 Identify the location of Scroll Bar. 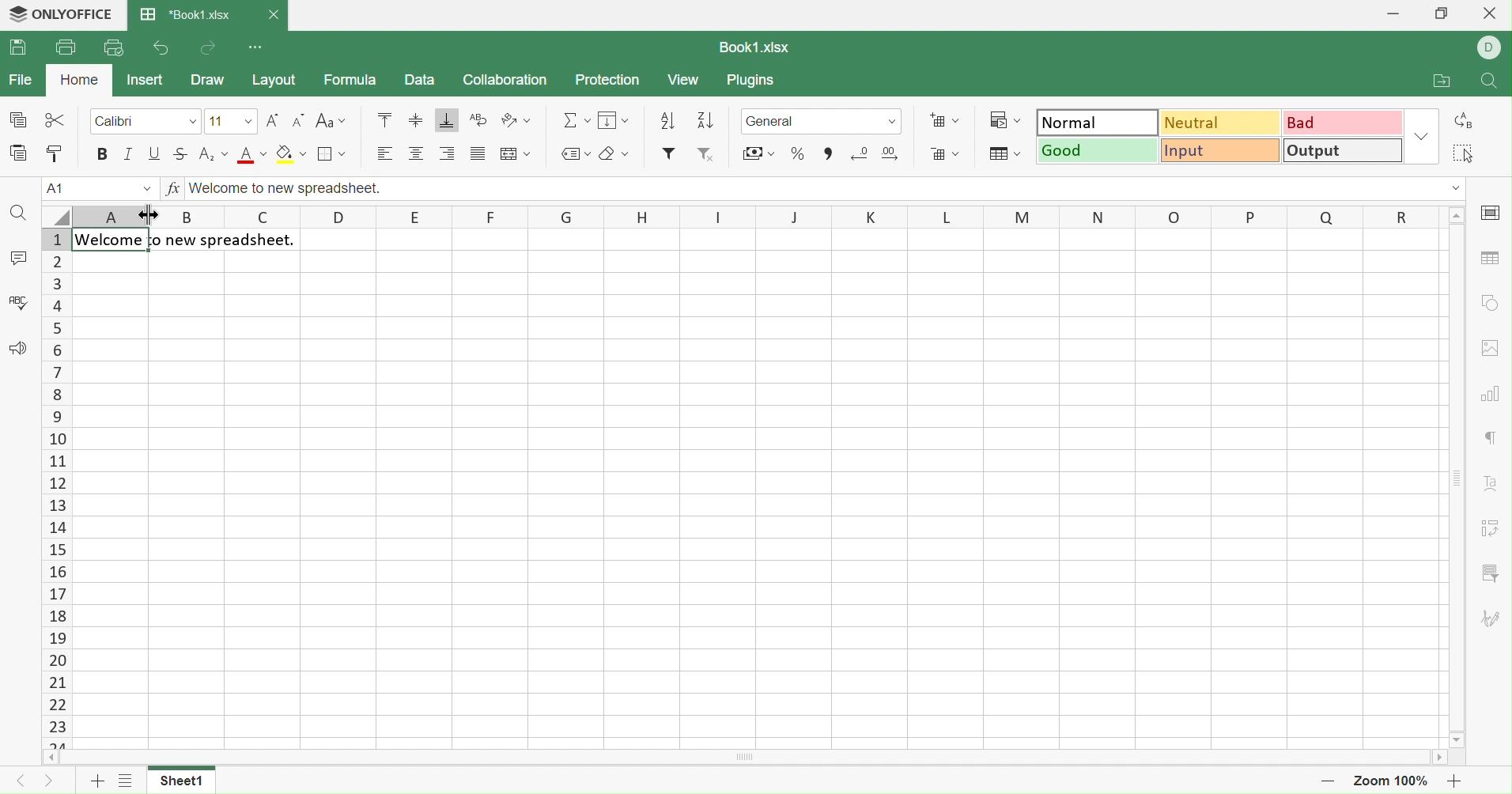
(1457, 478).